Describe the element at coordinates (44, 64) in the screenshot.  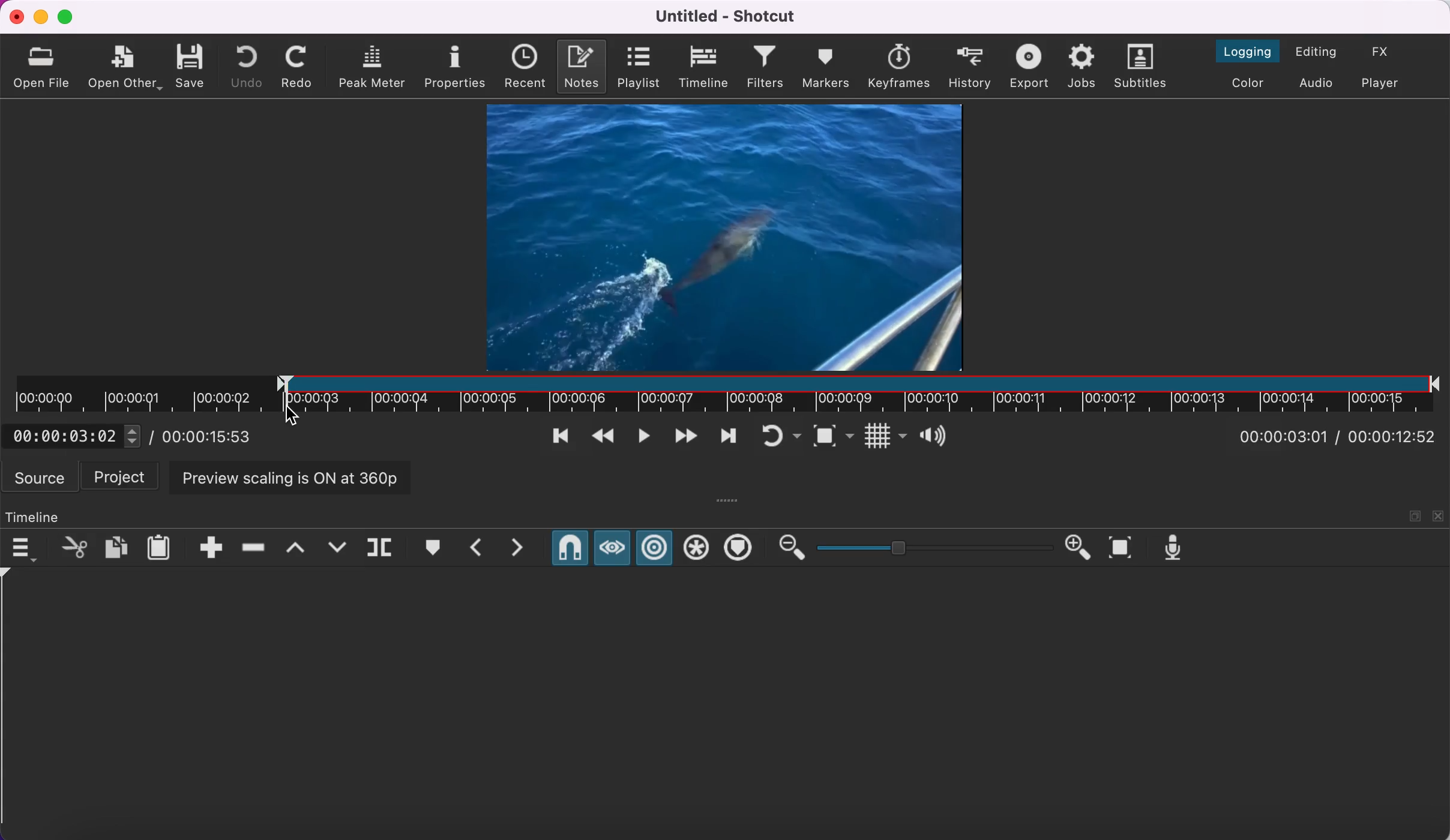
I see `open file` at that location.